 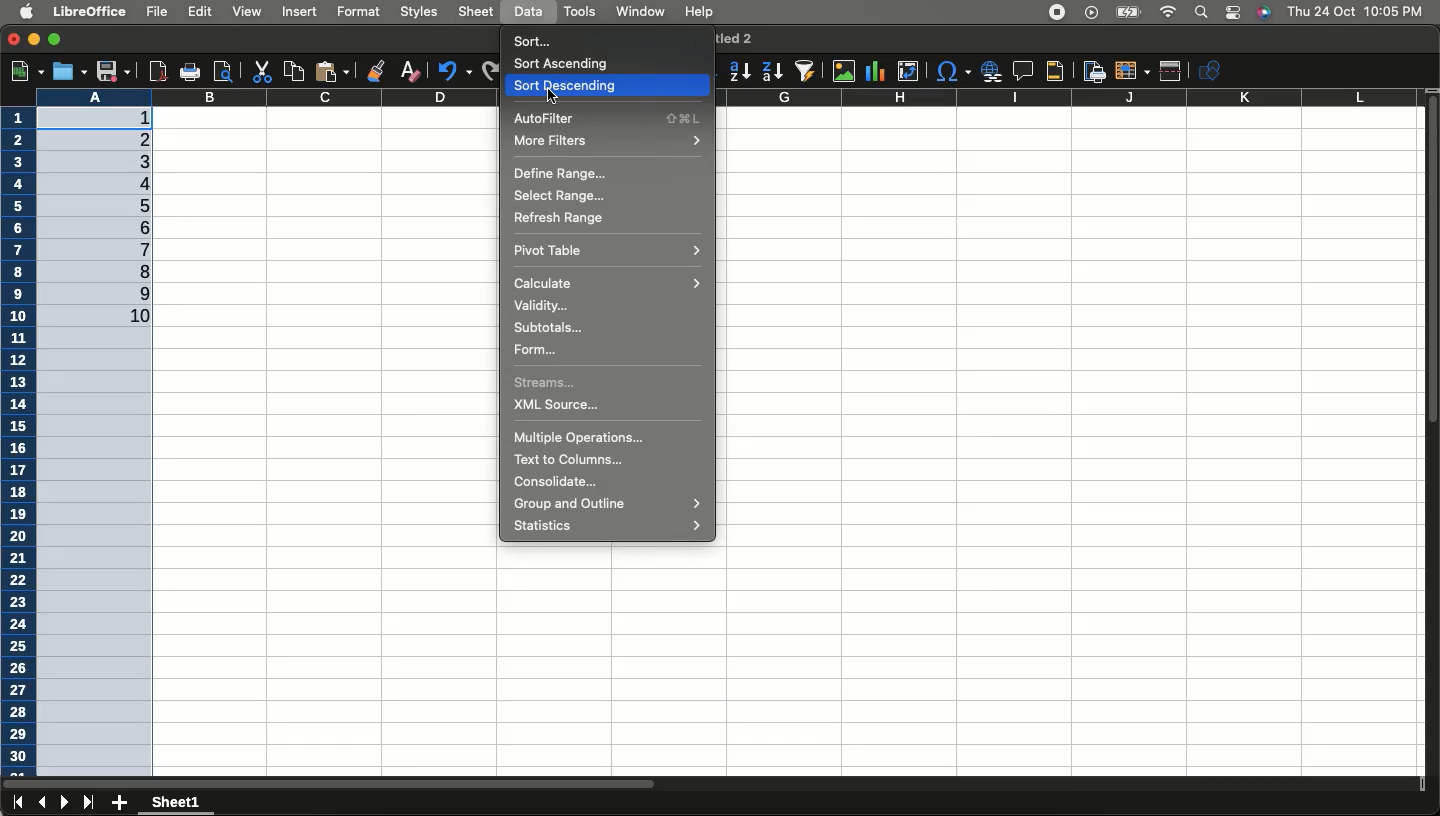 I want to click on Insert chart, so click(x=878, y=70).